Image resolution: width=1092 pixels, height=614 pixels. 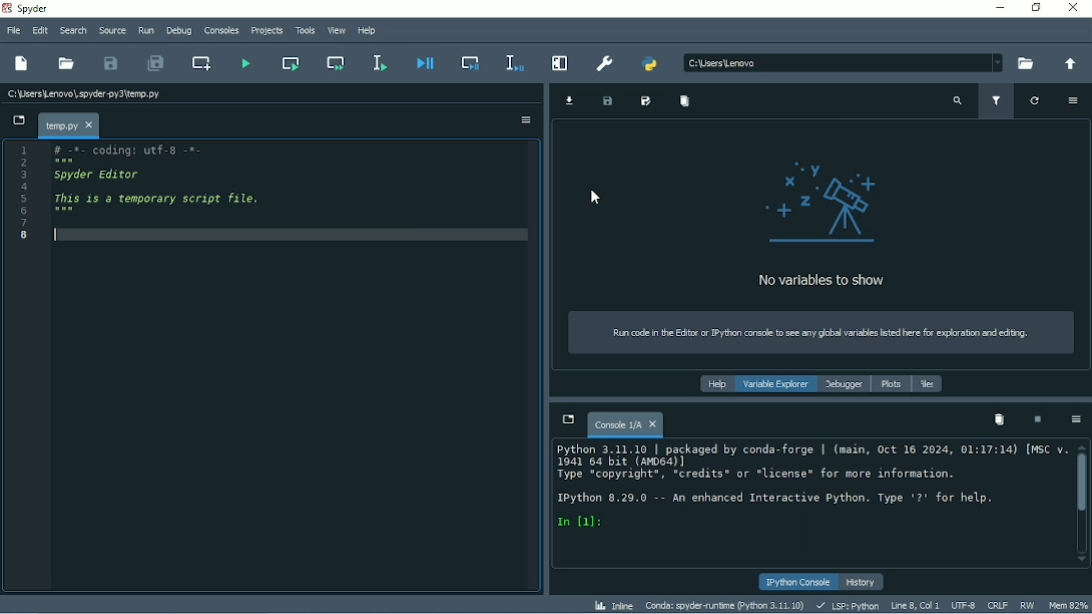 What do you see at coordinates (647, 102) in the screenshot?
I see `Save data as` at bounding box center [647, 102].